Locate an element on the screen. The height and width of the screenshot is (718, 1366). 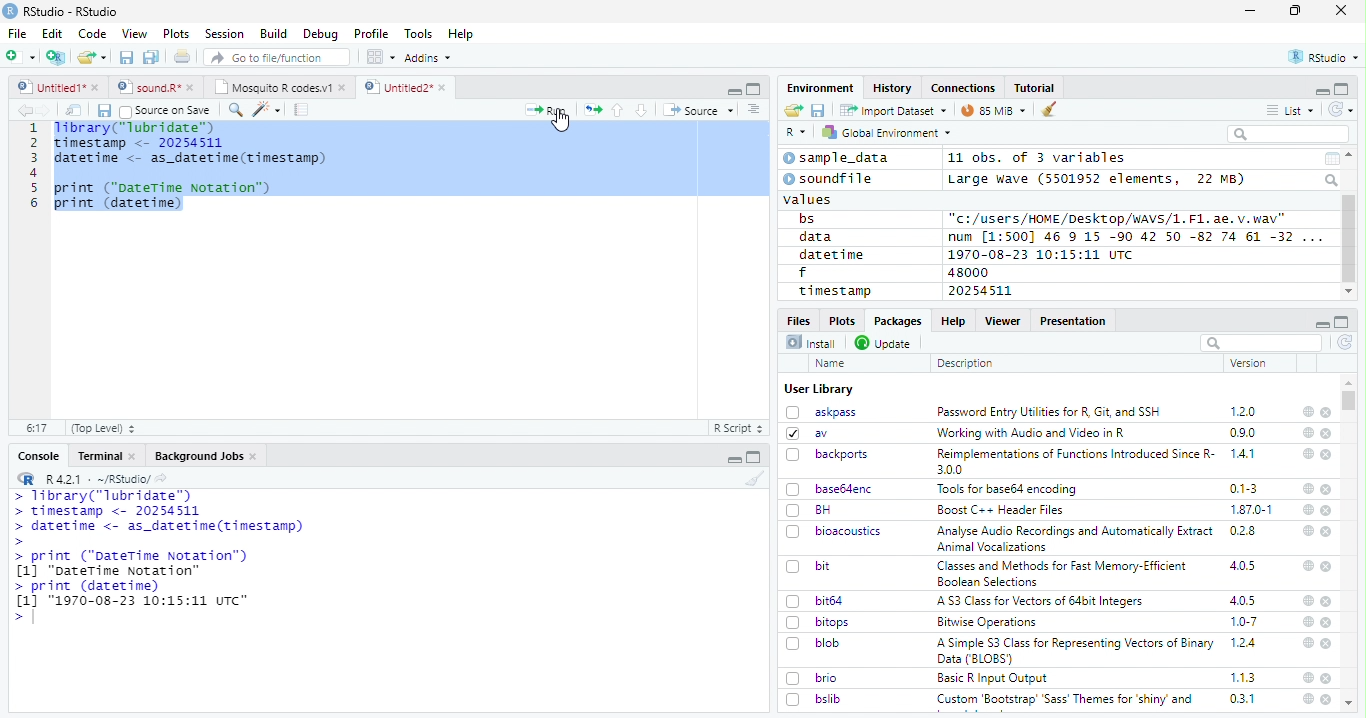
1.4.1 is located at coordinates (1244, 453).